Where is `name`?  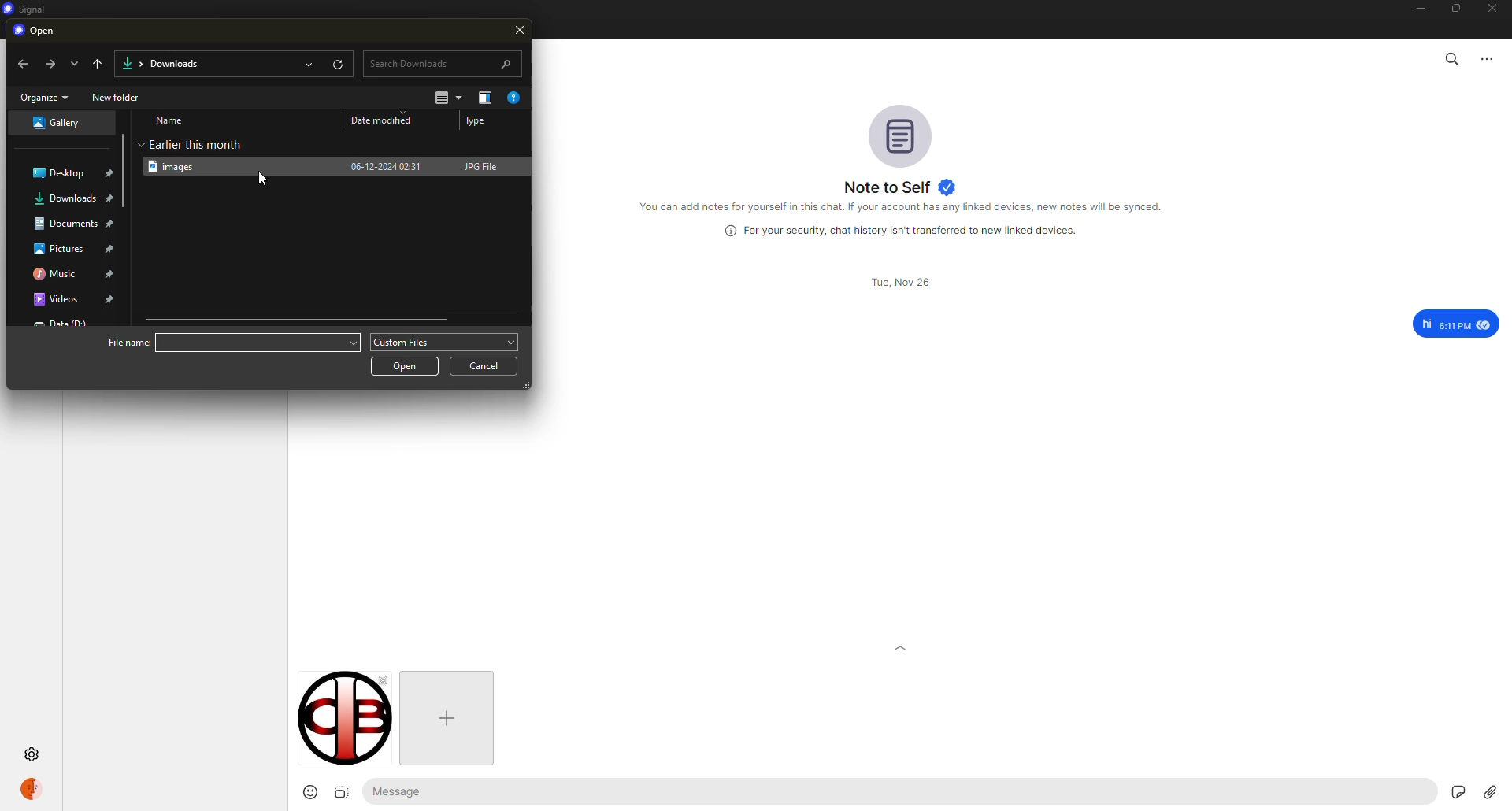 name is located at coordinates (172, 120).